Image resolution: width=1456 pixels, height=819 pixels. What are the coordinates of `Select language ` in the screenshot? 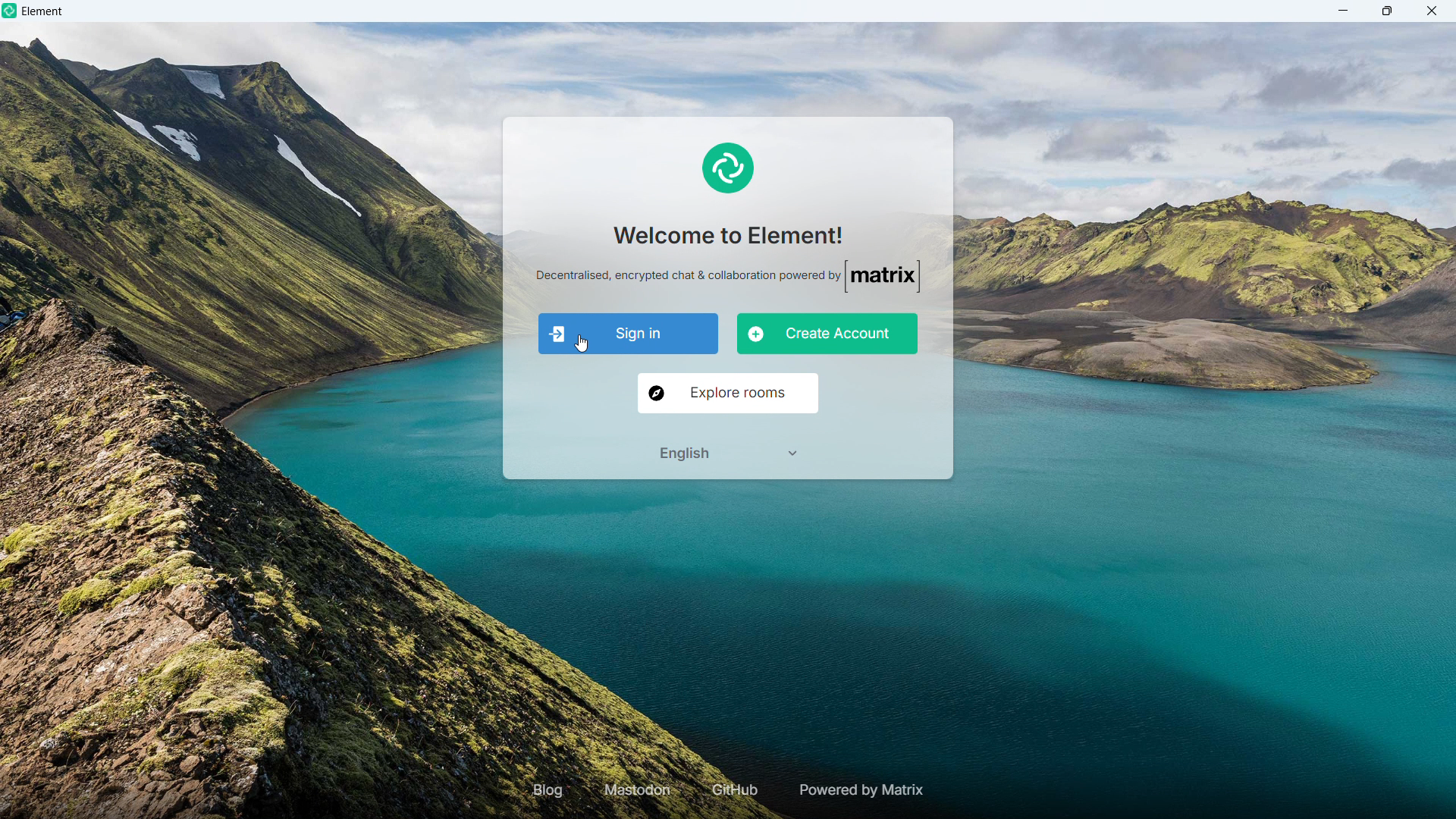 It's located at (723, 455).